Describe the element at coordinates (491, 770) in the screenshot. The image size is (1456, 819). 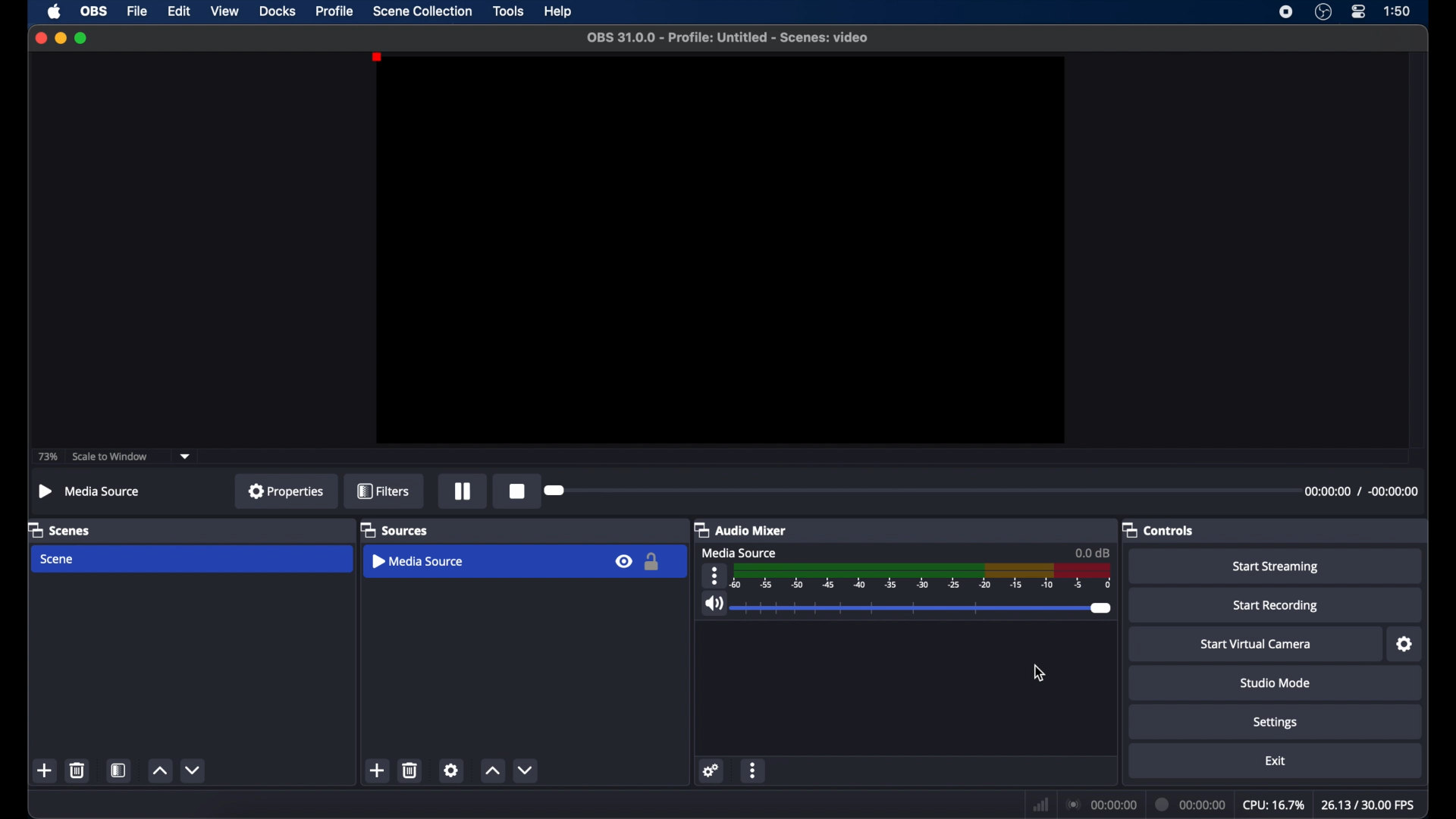
I see `increment` at that location.